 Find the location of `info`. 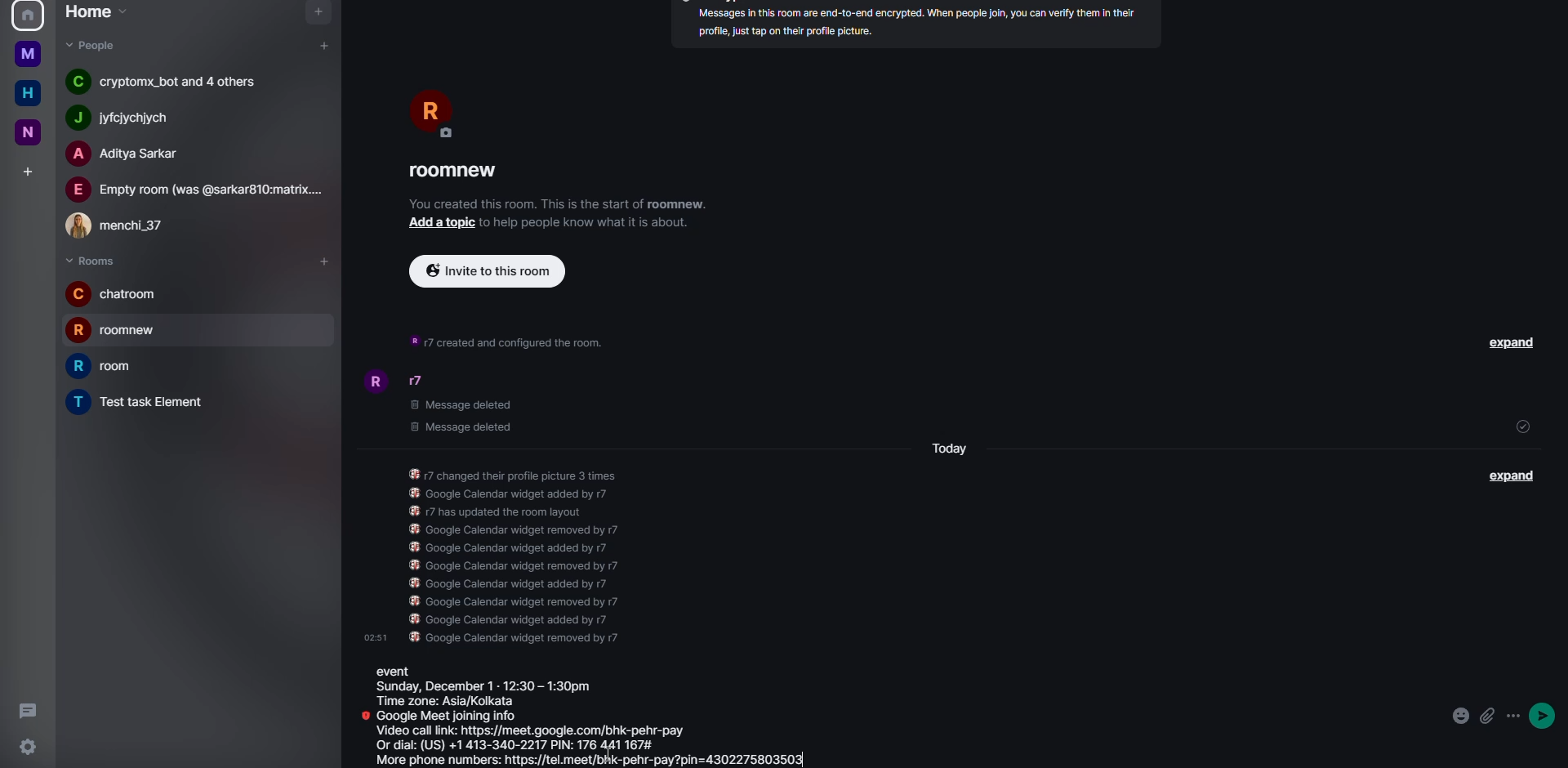

info is located at coordinates (594, 223).